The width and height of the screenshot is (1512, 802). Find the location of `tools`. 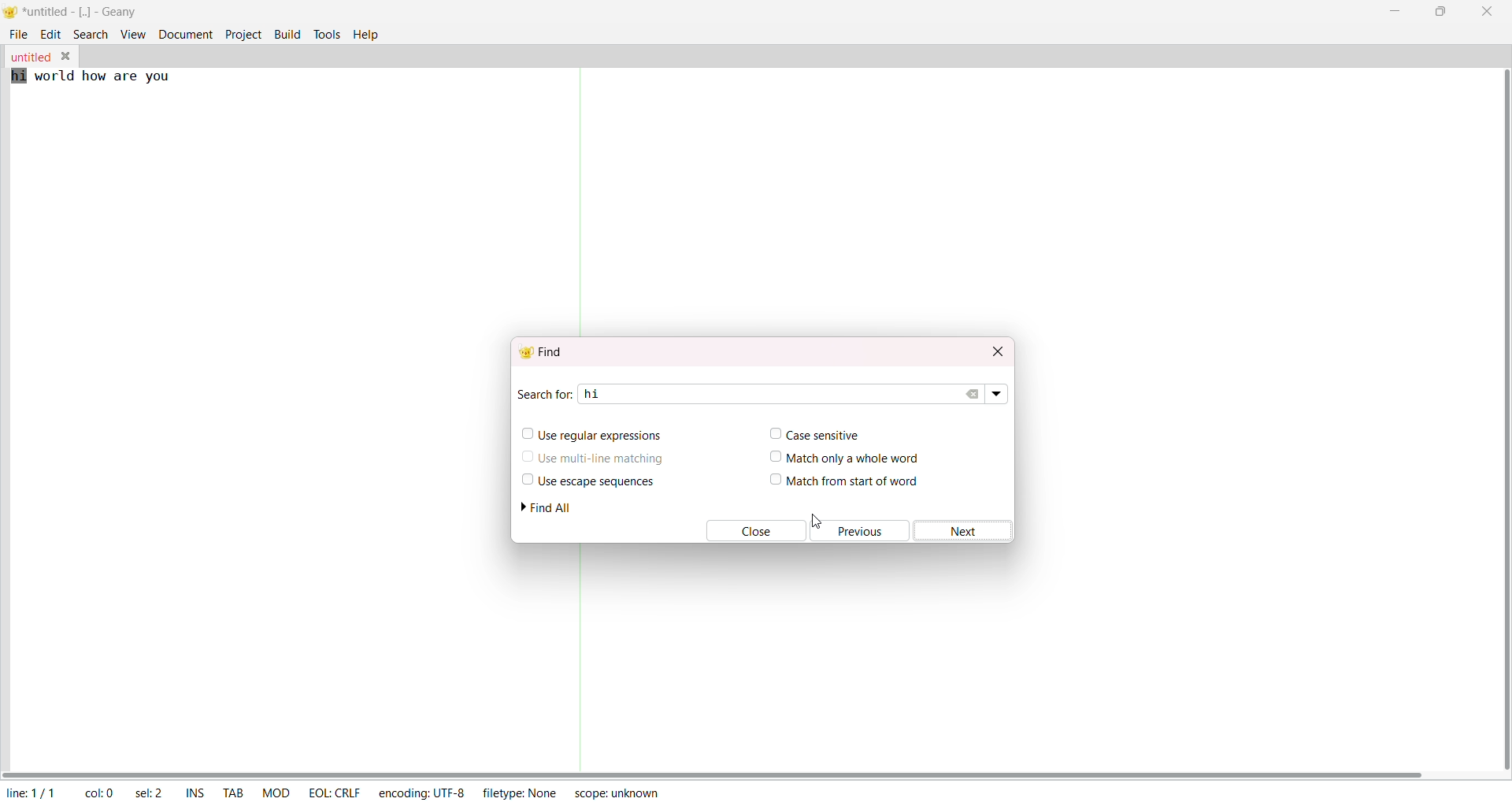

tools is located at coordinates (327, 34).